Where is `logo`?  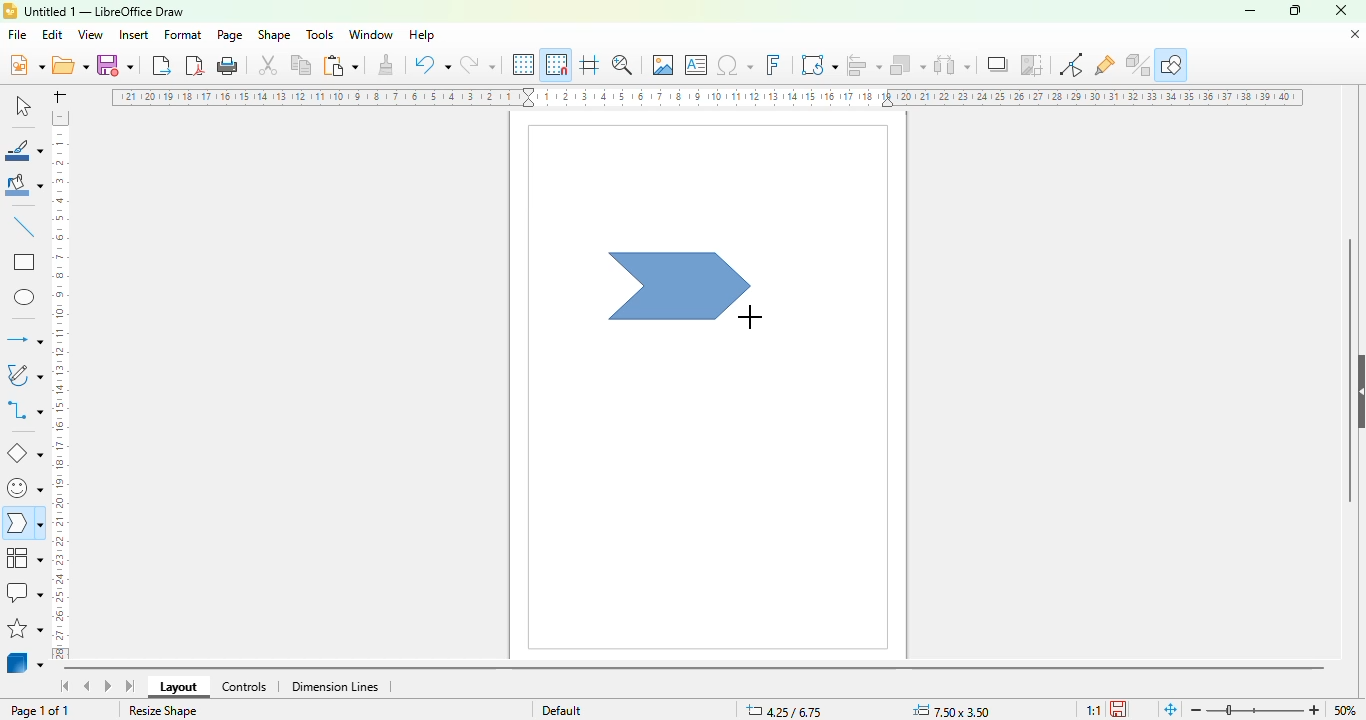 logo is located at coordinates (10, 11).